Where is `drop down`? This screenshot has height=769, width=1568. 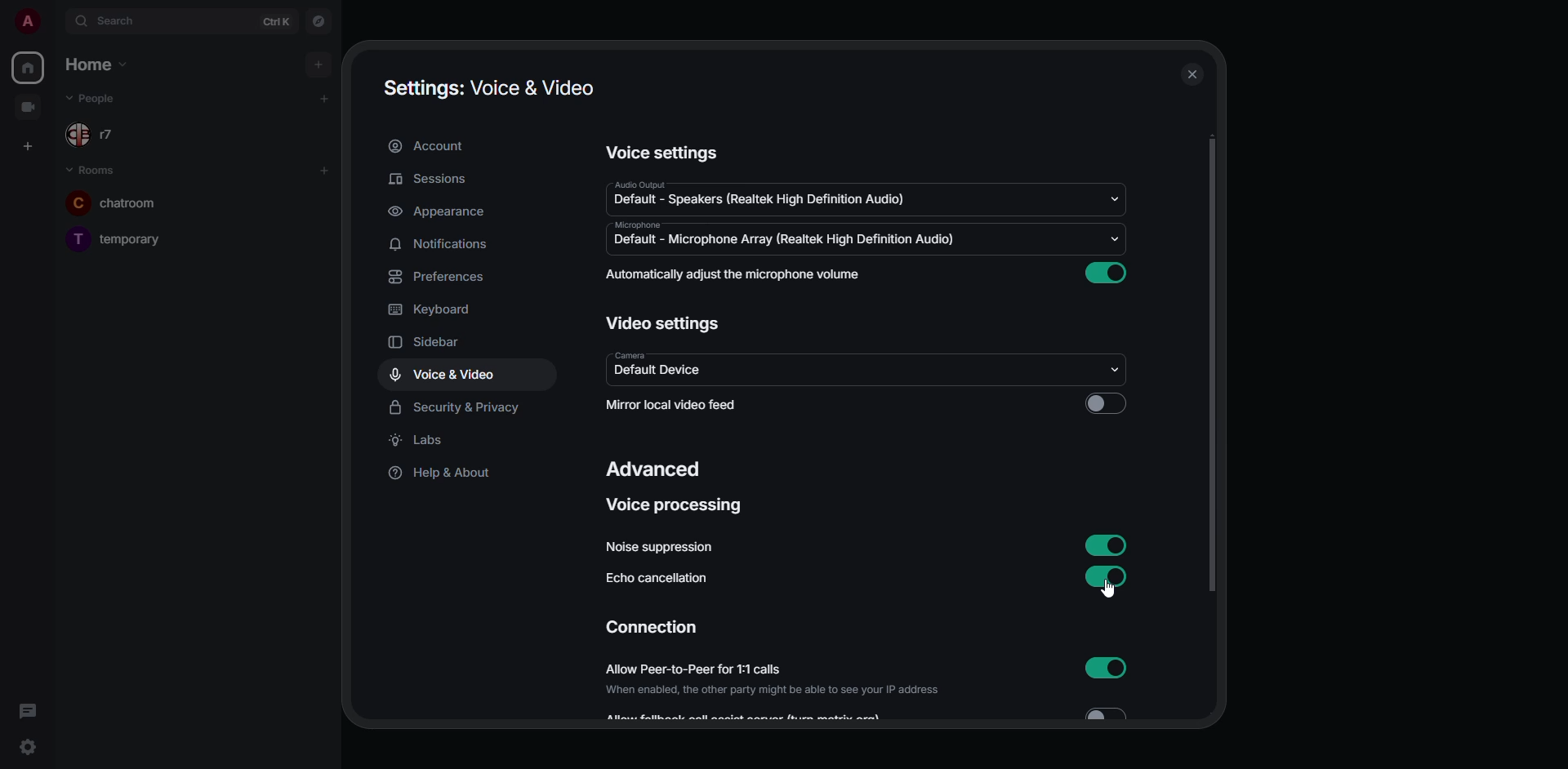 drop down is located at coordinates (1117, 370).